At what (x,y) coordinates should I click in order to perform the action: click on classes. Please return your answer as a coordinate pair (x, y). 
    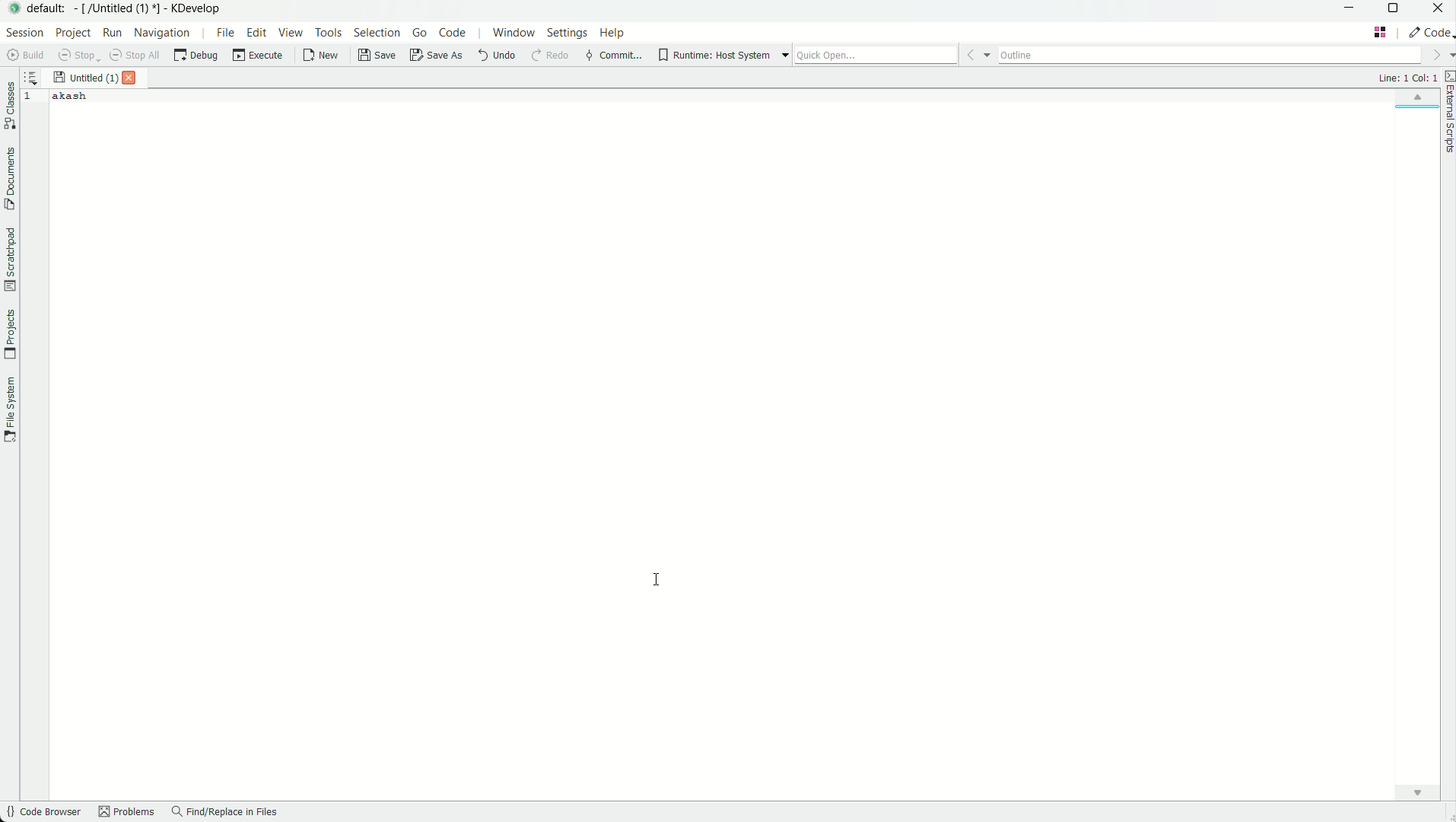
    Looking at the image, I should click on (10, 107).